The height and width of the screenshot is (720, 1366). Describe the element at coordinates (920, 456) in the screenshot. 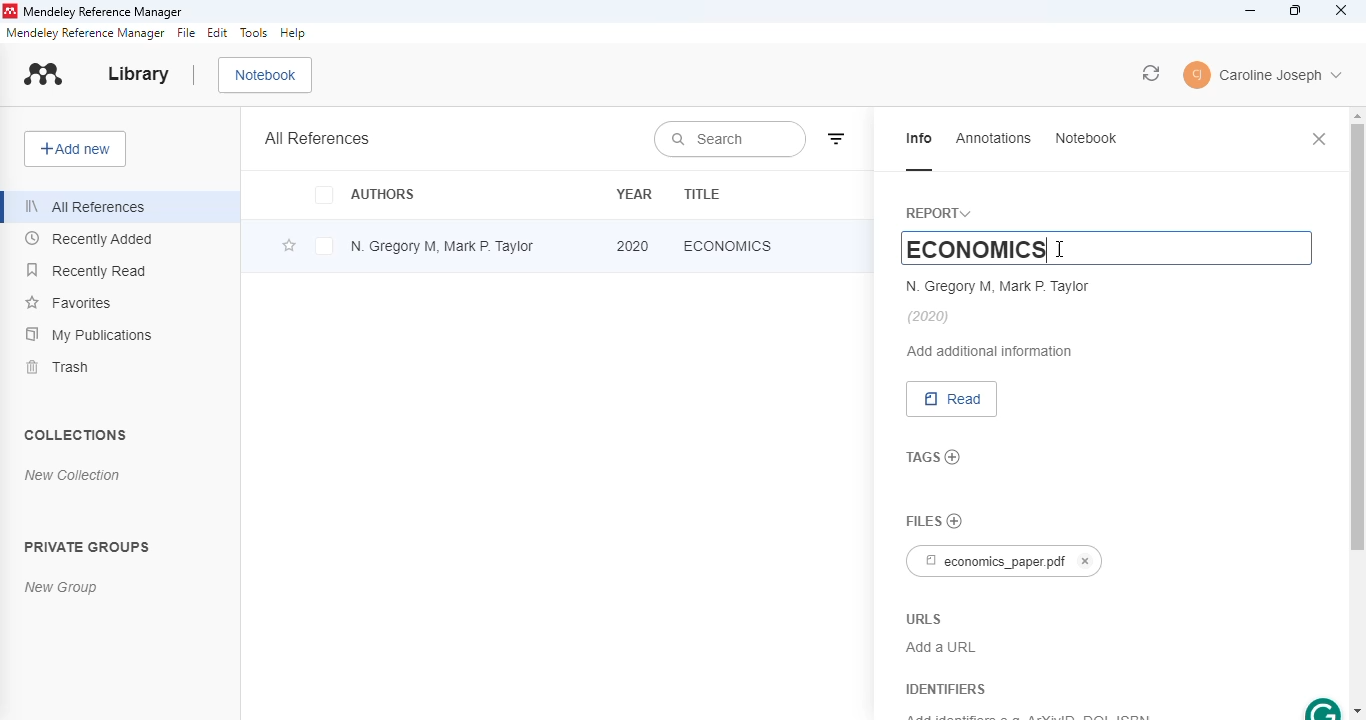

I see `tags` at that location.